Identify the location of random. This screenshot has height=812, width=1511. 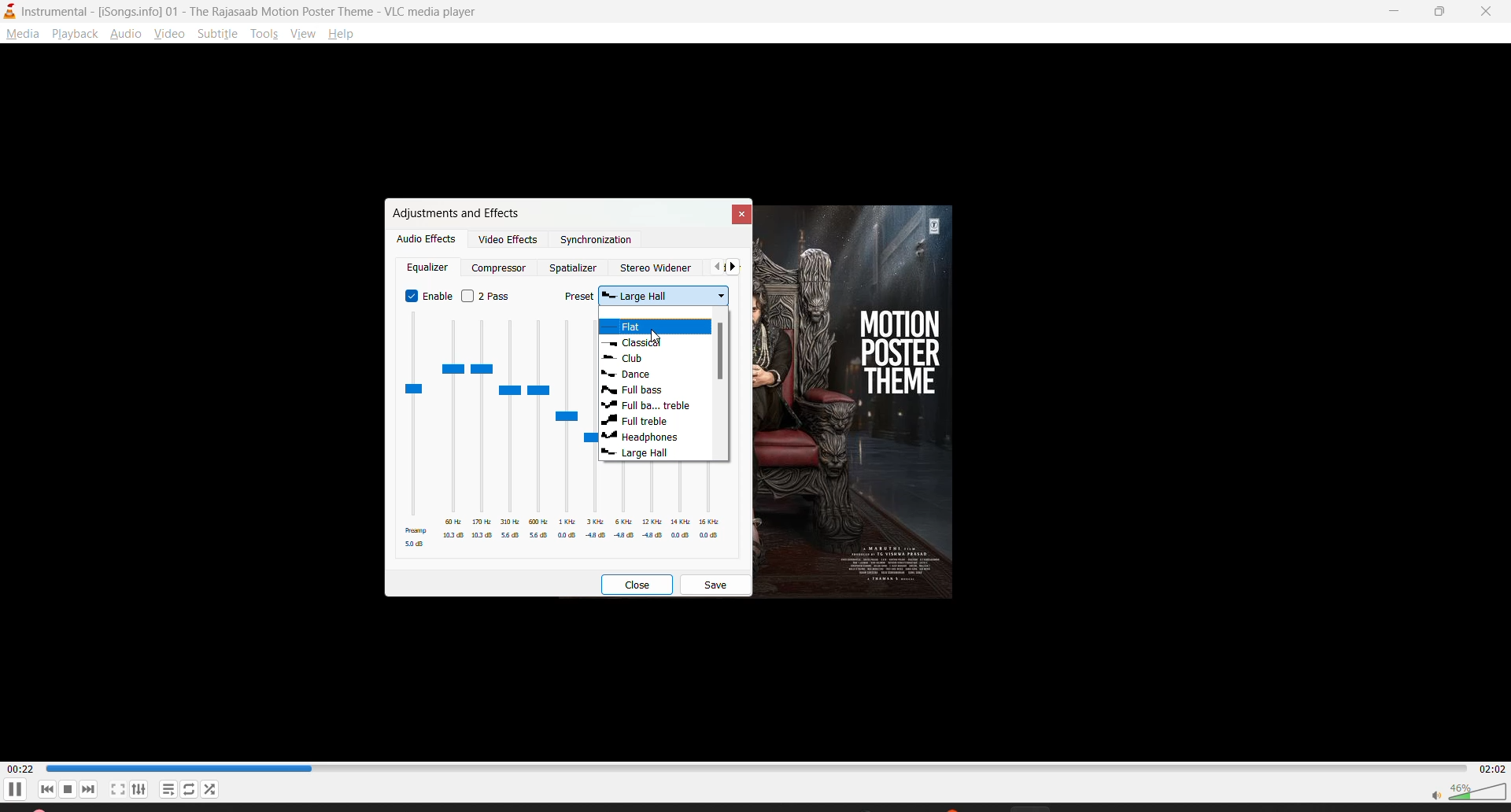
(210, 788).